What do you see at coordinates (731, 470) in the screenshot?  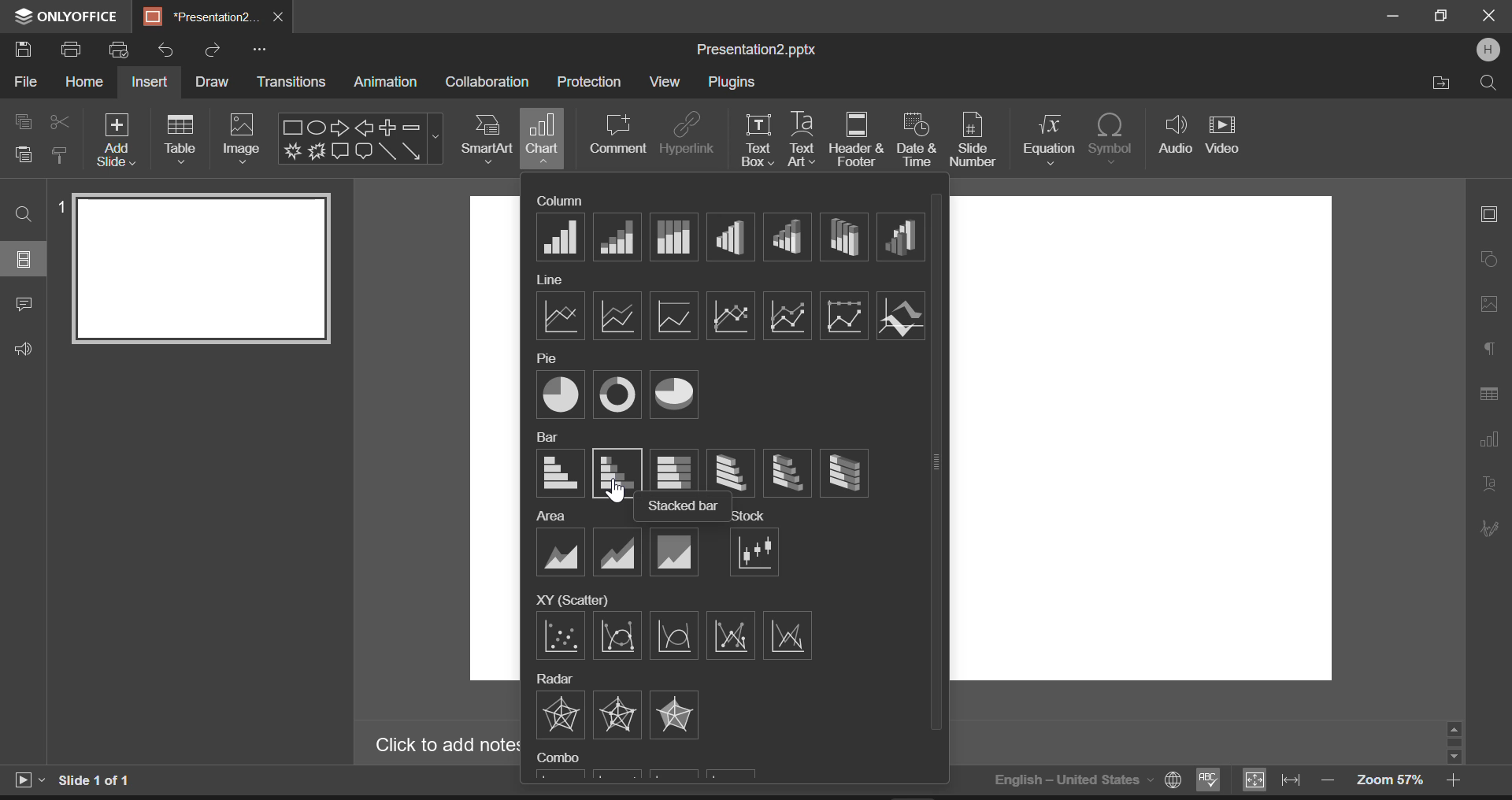 I see `3-D Clutered Bar` at bounding box center [731, 470].